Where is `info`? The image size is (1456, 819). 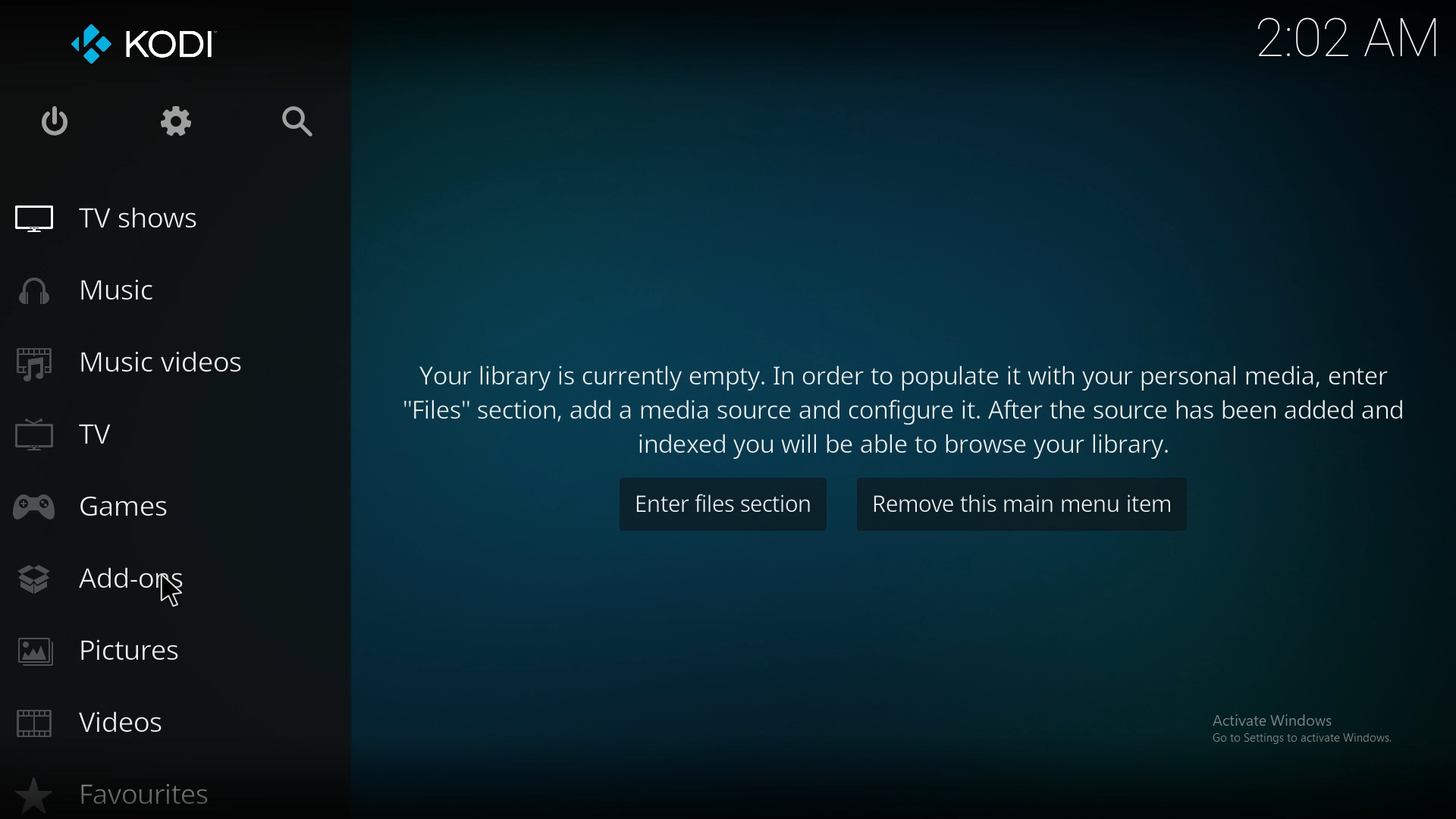 info is located at coordinates (905, 406).